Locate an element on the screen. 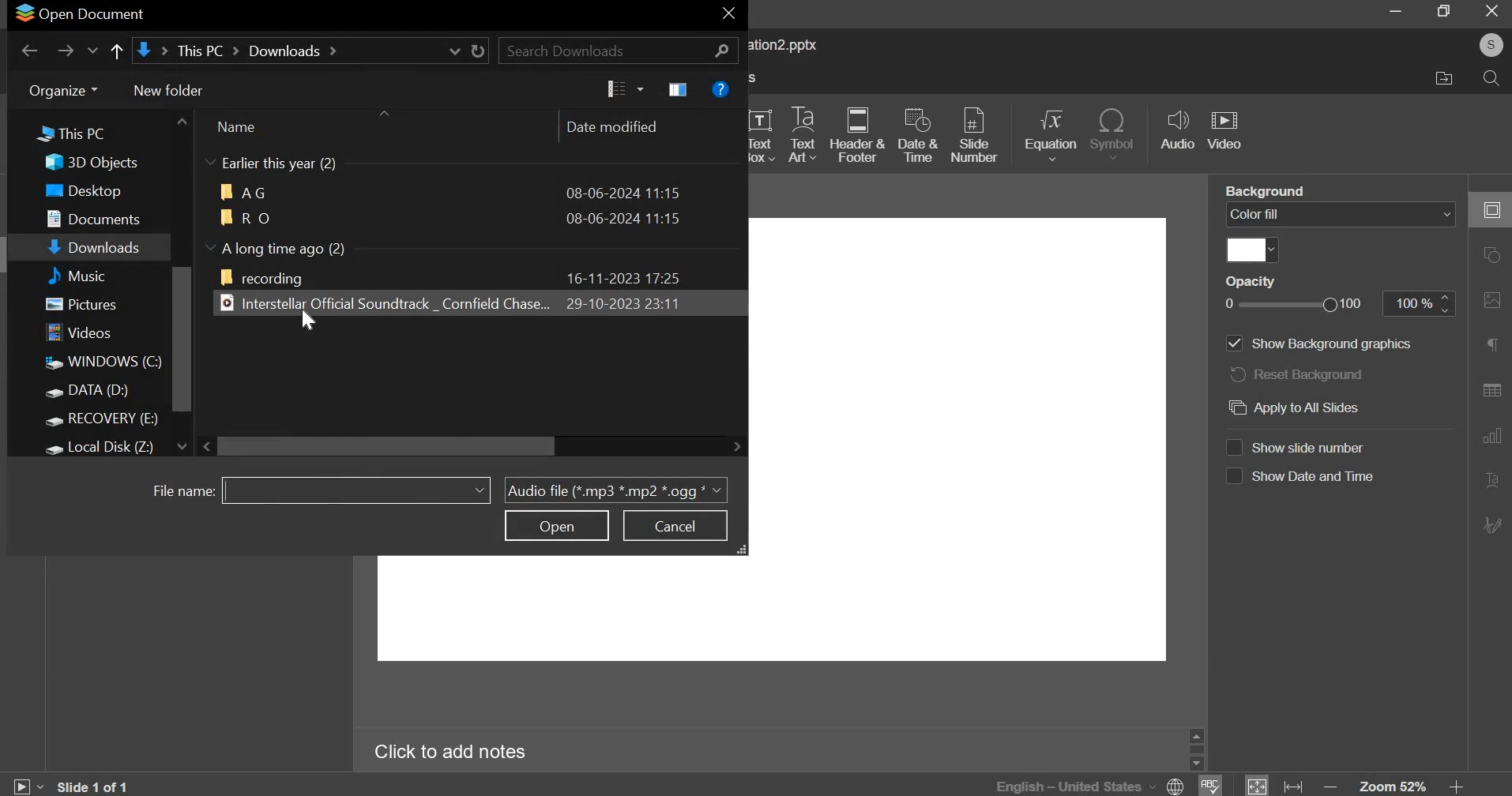 This screenshot has width=1512, height=796. creation date is located at coordinates (624, 218).